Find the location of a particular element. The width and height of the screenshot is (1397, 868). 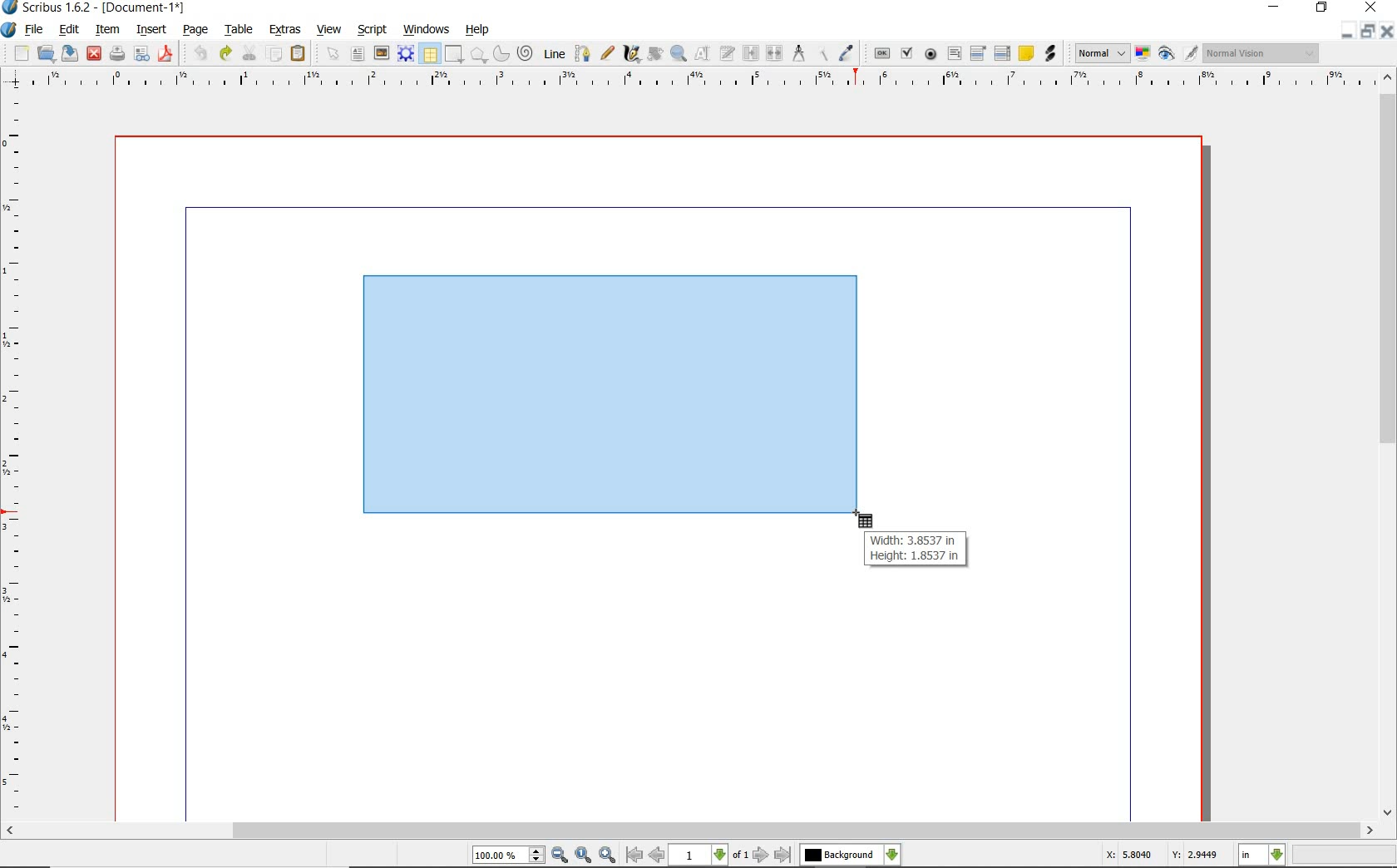

freehand line is located at coordinates (609, 54).